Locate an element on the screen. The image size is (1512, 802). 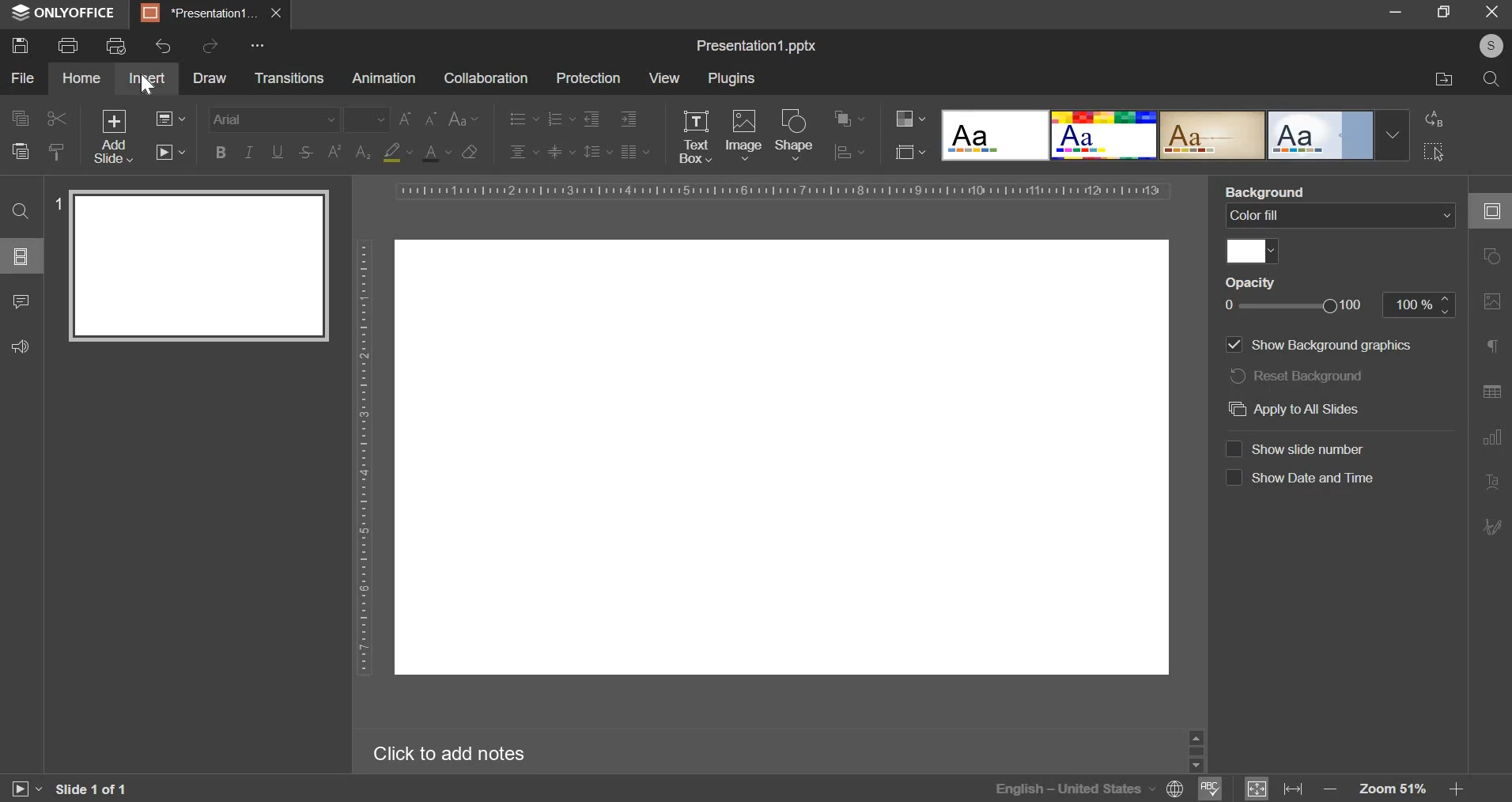
exit is located at coordinates (1491, 11).